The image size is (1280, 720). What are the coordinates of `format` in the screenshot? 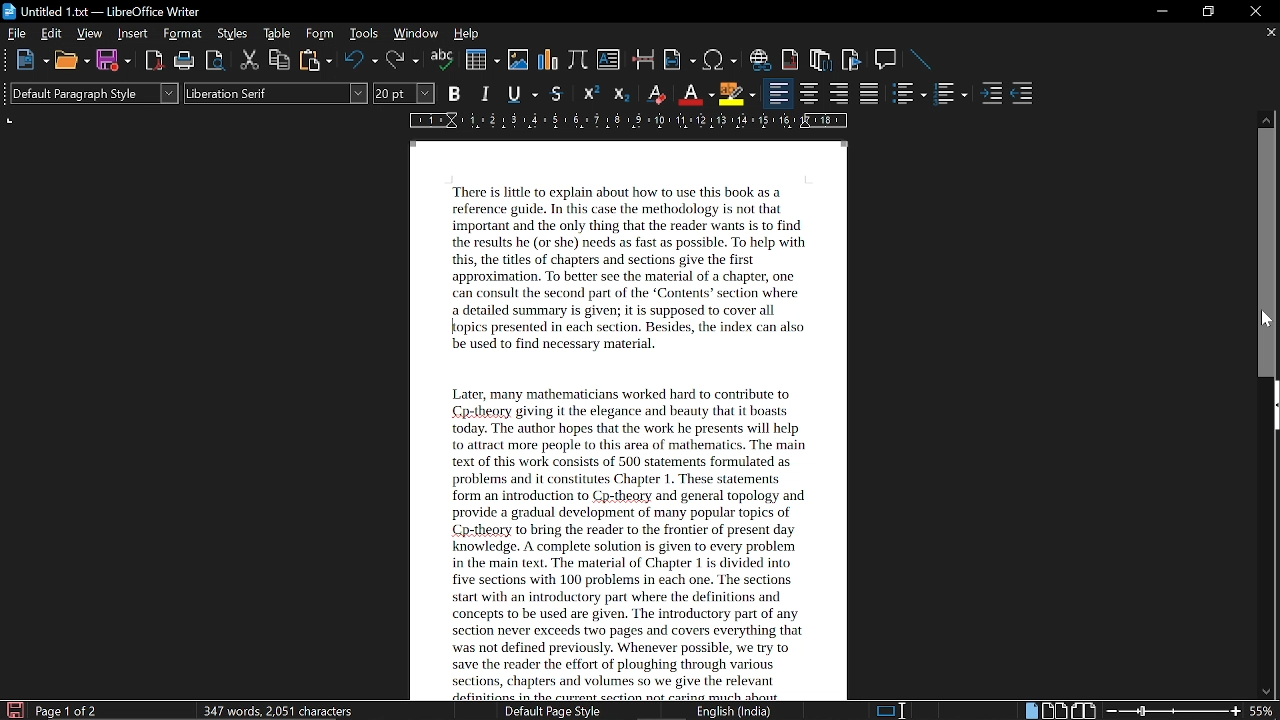 It's located at (183, 34).